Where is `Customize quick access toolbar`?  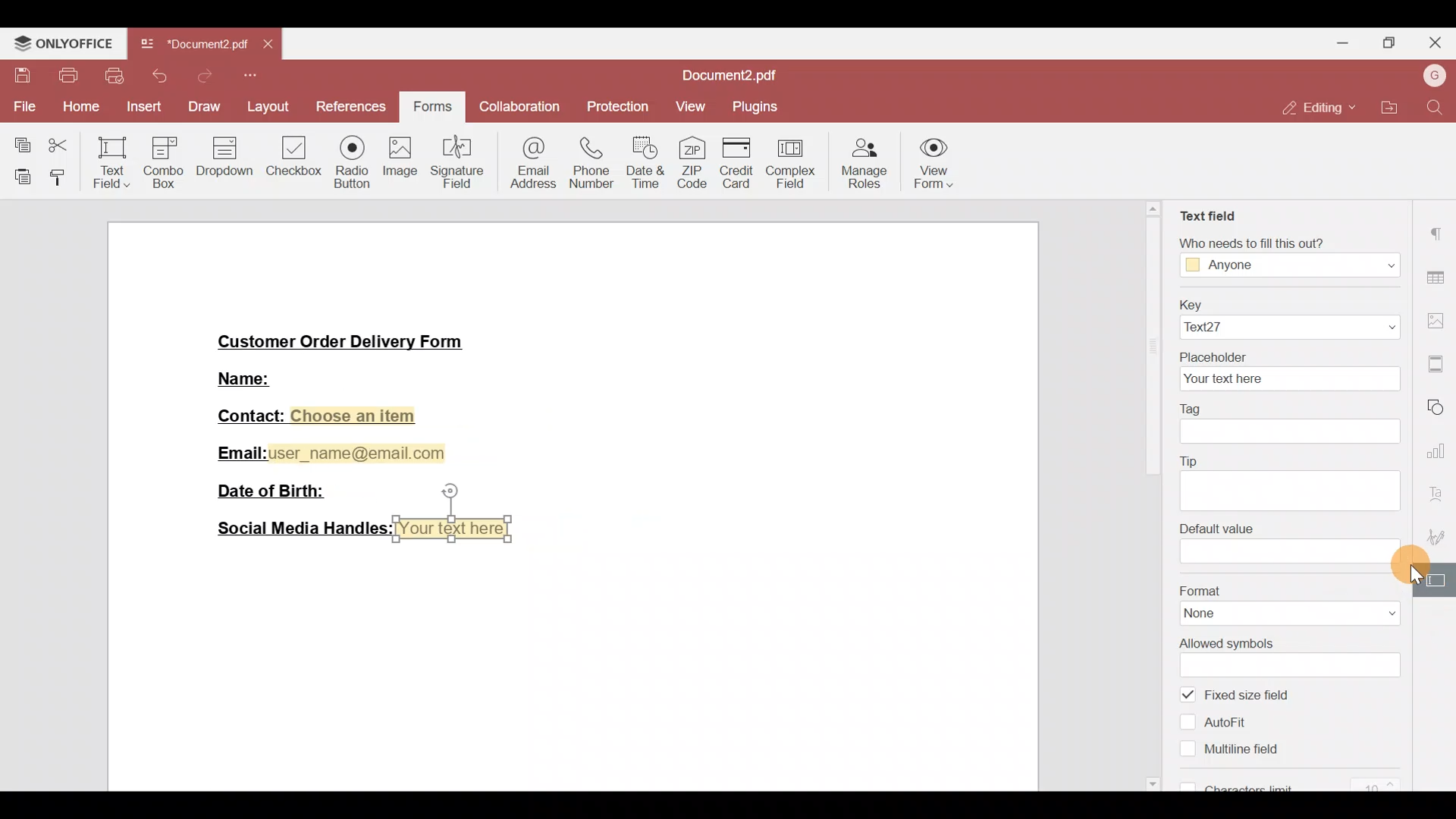
Customize quick access toolbar is located at coordinates (251, 76).